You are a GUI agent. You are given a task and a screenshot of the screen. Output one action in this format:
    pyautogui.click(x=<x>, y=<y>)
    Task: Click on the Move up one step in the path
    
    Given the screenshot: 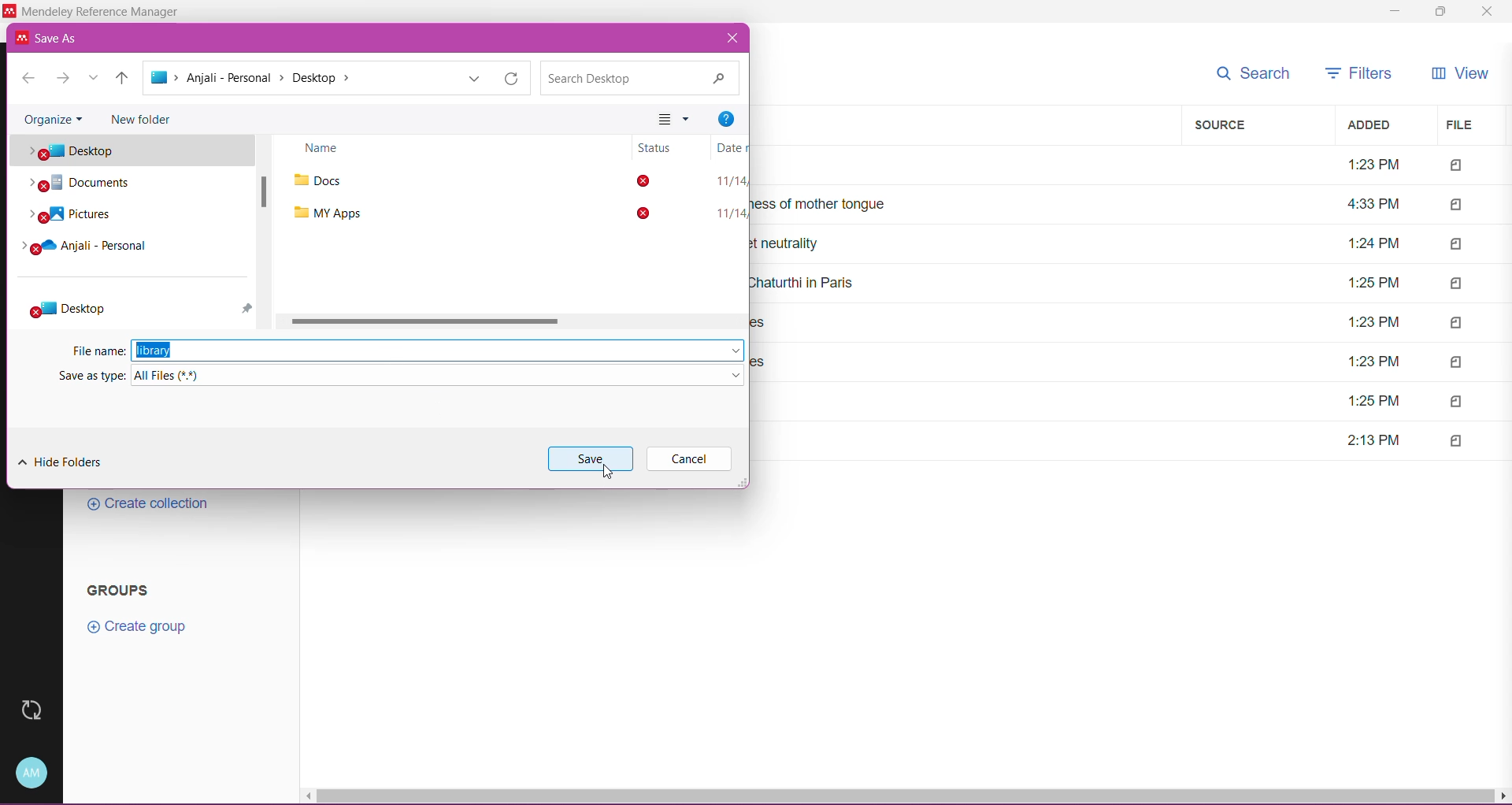 What is the action you would take?
    pyautogui.click(x=123, y=79)
    